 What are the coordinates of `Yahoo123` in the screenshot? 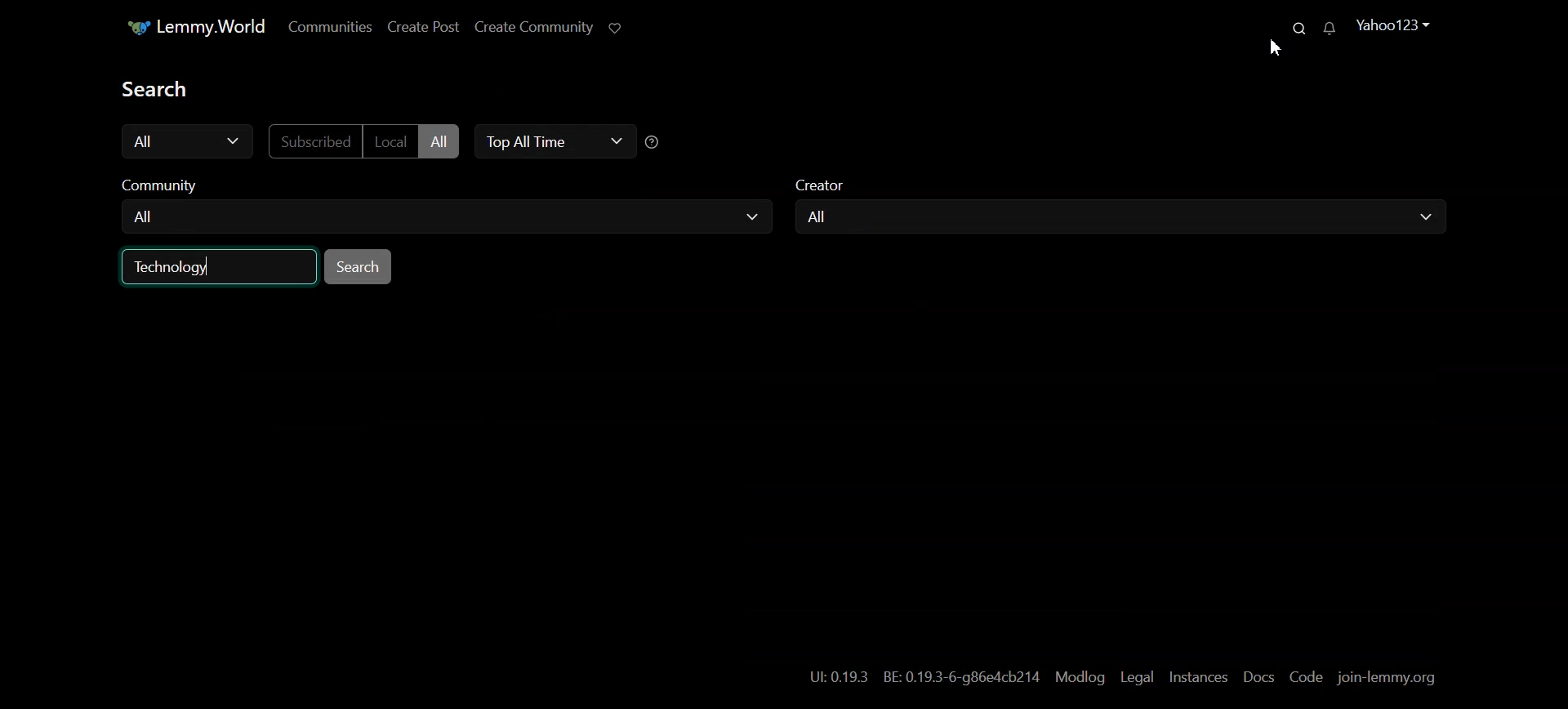 It's located at (1392, 25).